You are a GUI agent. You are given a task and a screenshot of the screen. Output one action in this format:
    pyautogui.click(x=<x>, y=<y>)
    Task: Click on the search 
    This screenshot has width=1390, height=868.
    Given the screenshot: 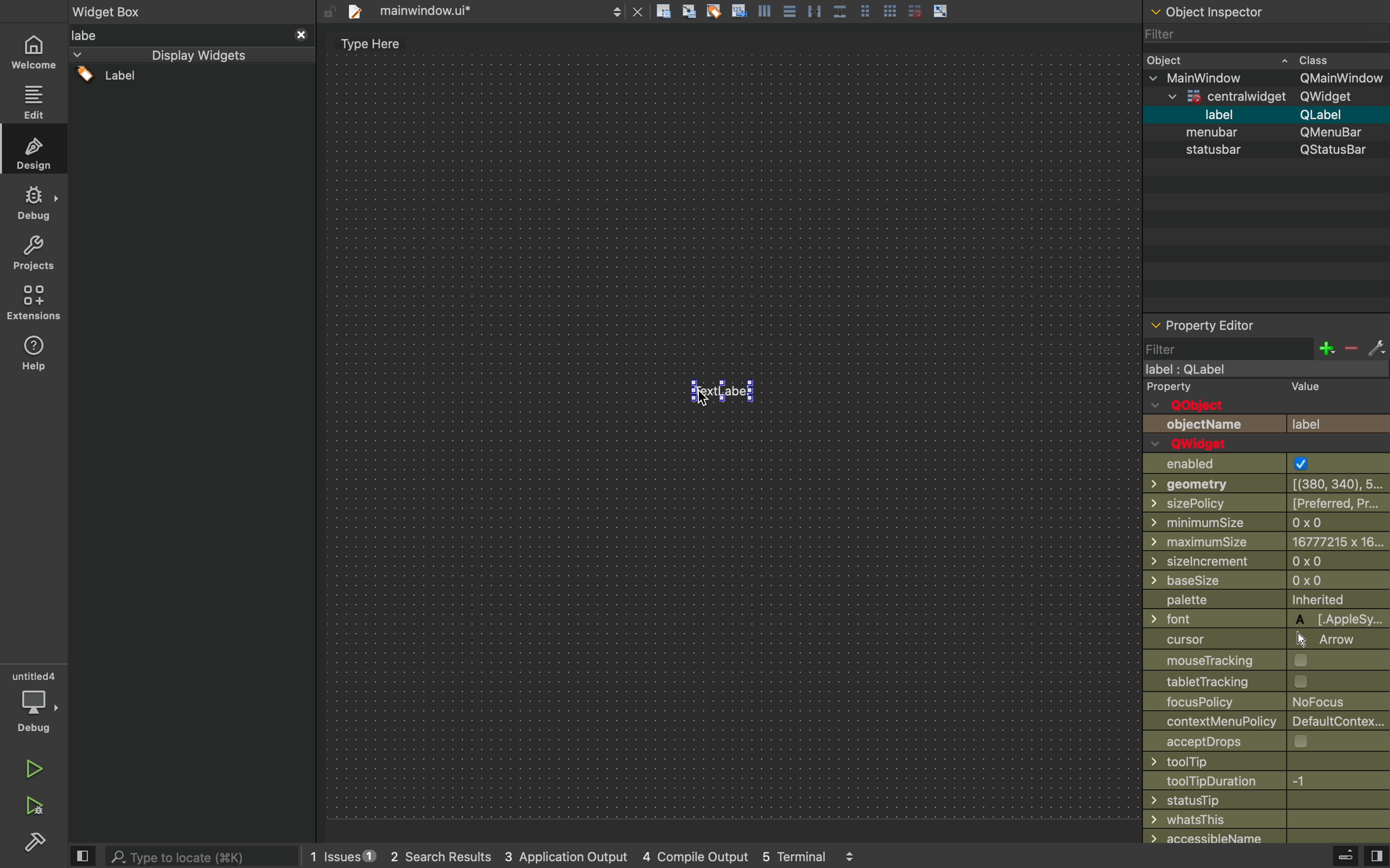 What is the action you would take?
    pyautogui.click(x=206, y=855)
    